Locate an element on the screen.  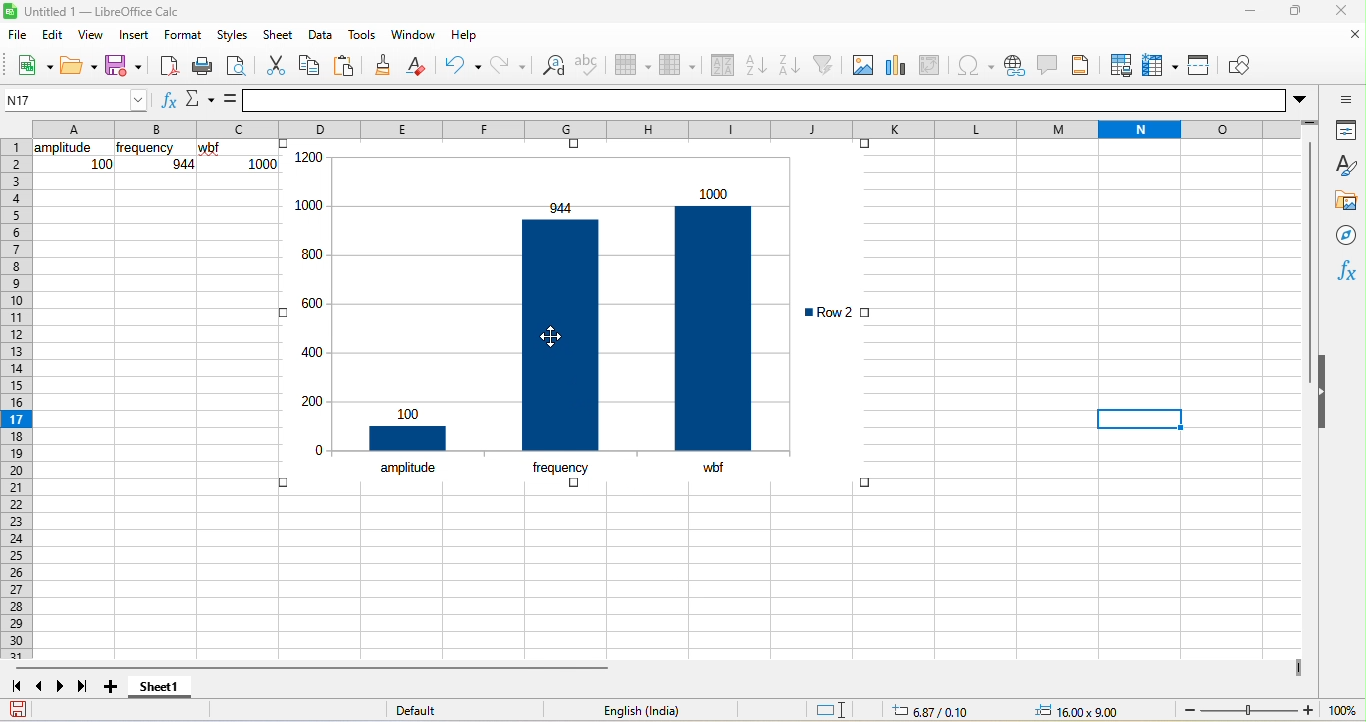
styles is located at coordinates (1346, 166).